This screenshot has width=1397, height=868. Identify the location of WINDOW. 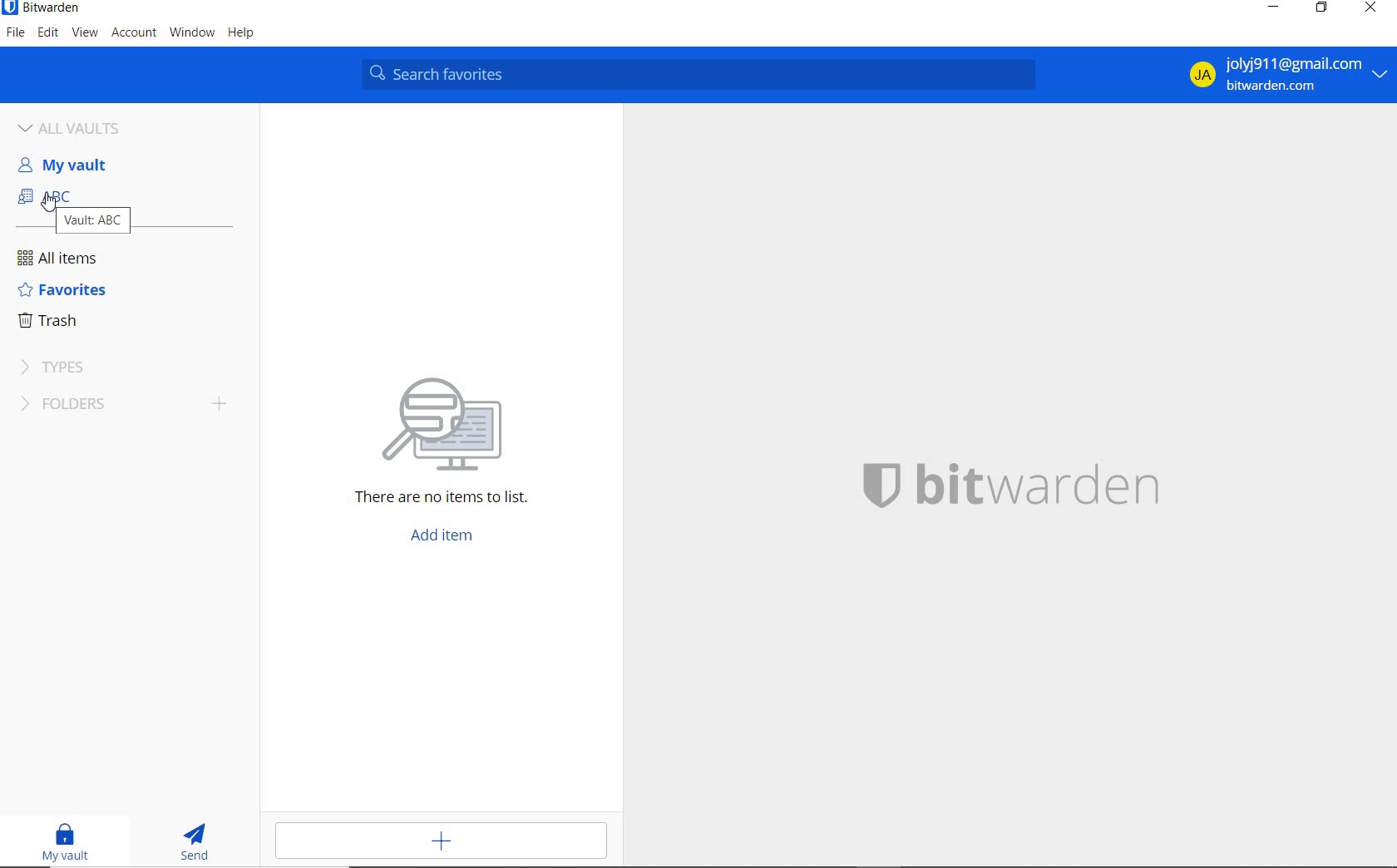
(191, 33).